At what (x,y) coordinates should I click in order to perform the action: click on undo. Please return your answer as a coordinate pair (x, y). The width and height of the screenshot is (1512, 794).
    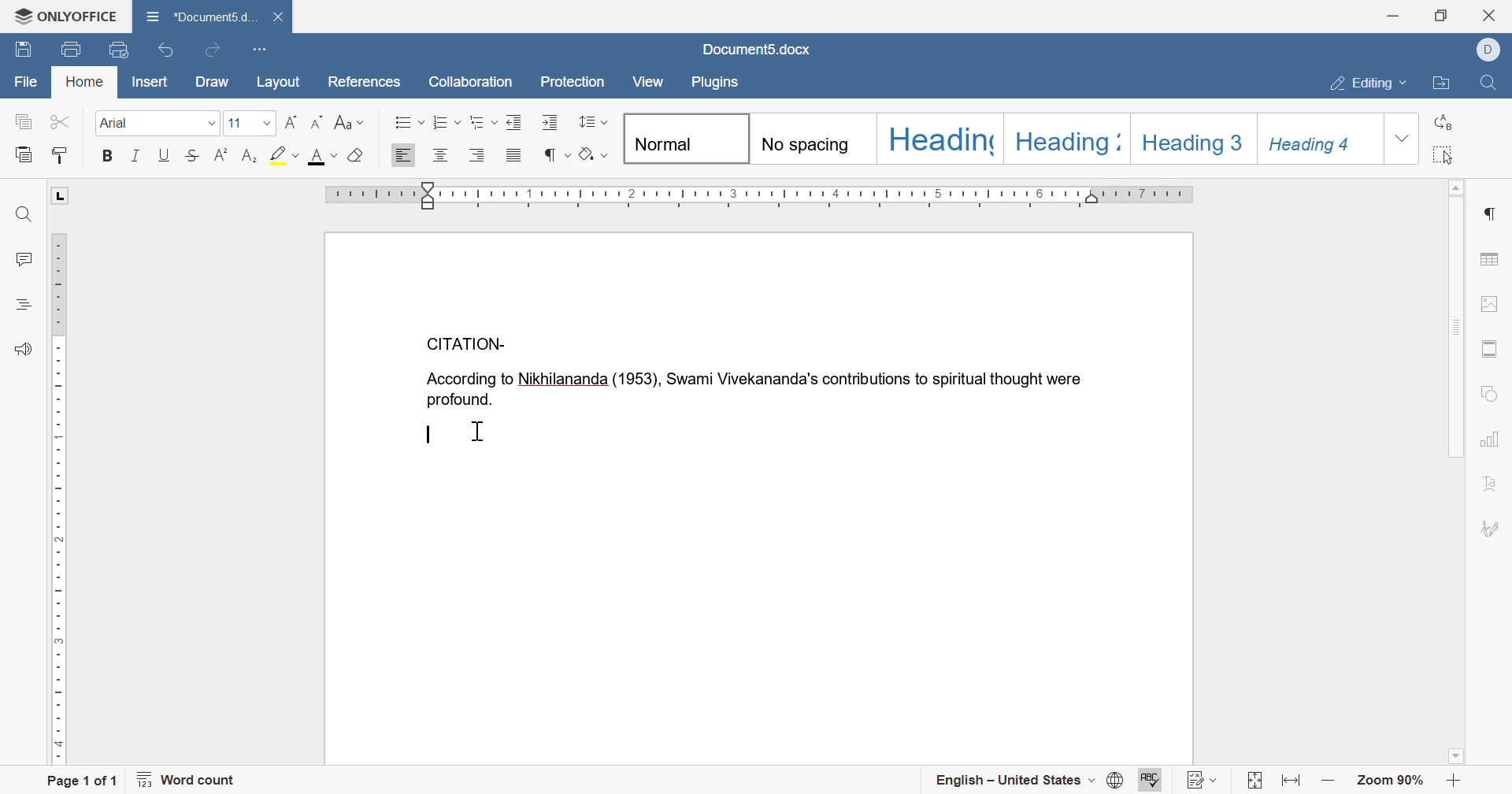
    Looking at the image, I should click on (165, 50).